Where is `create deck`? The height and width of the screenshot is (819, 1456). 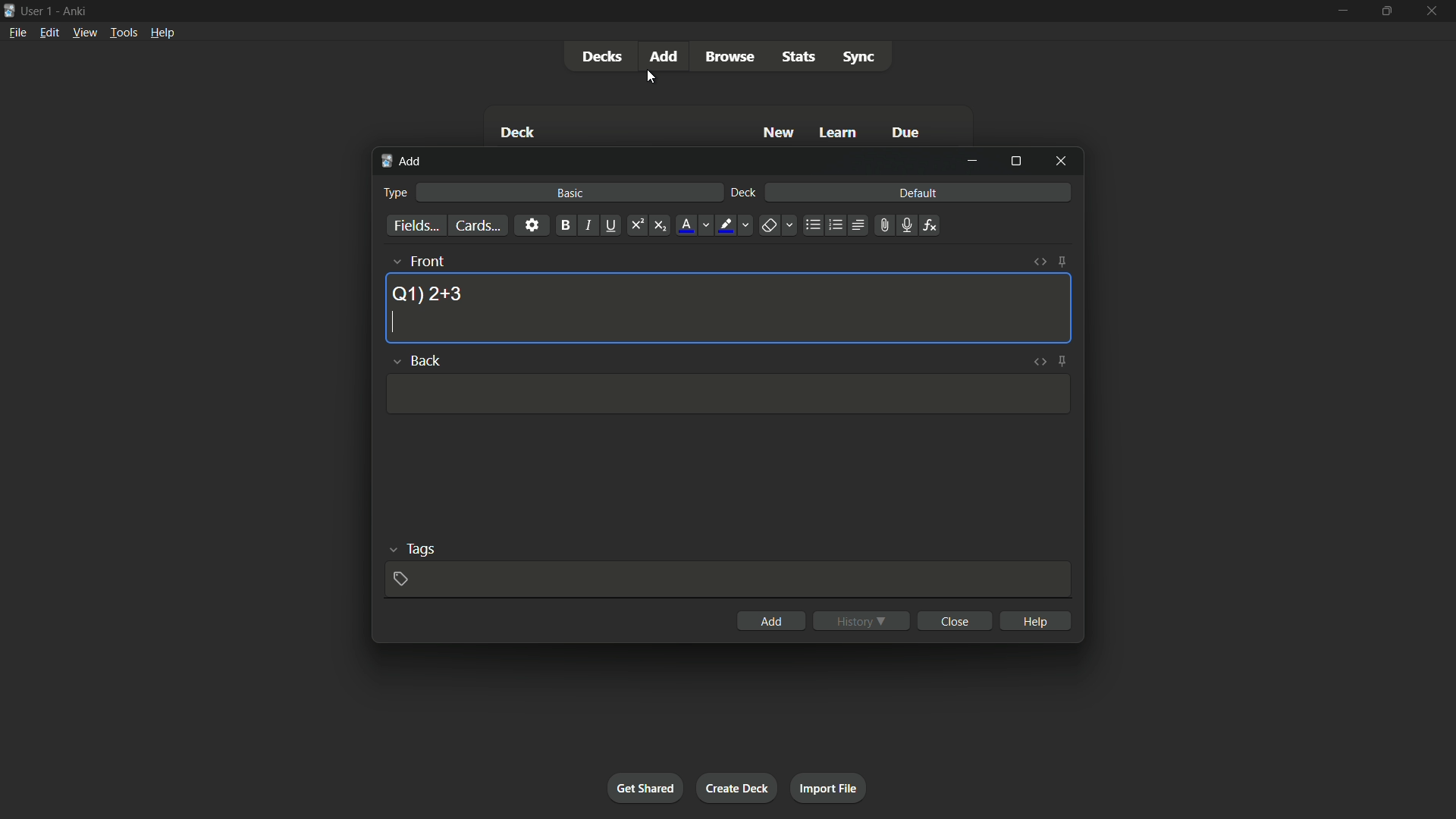
create deck is located at coordinates (736, 787).